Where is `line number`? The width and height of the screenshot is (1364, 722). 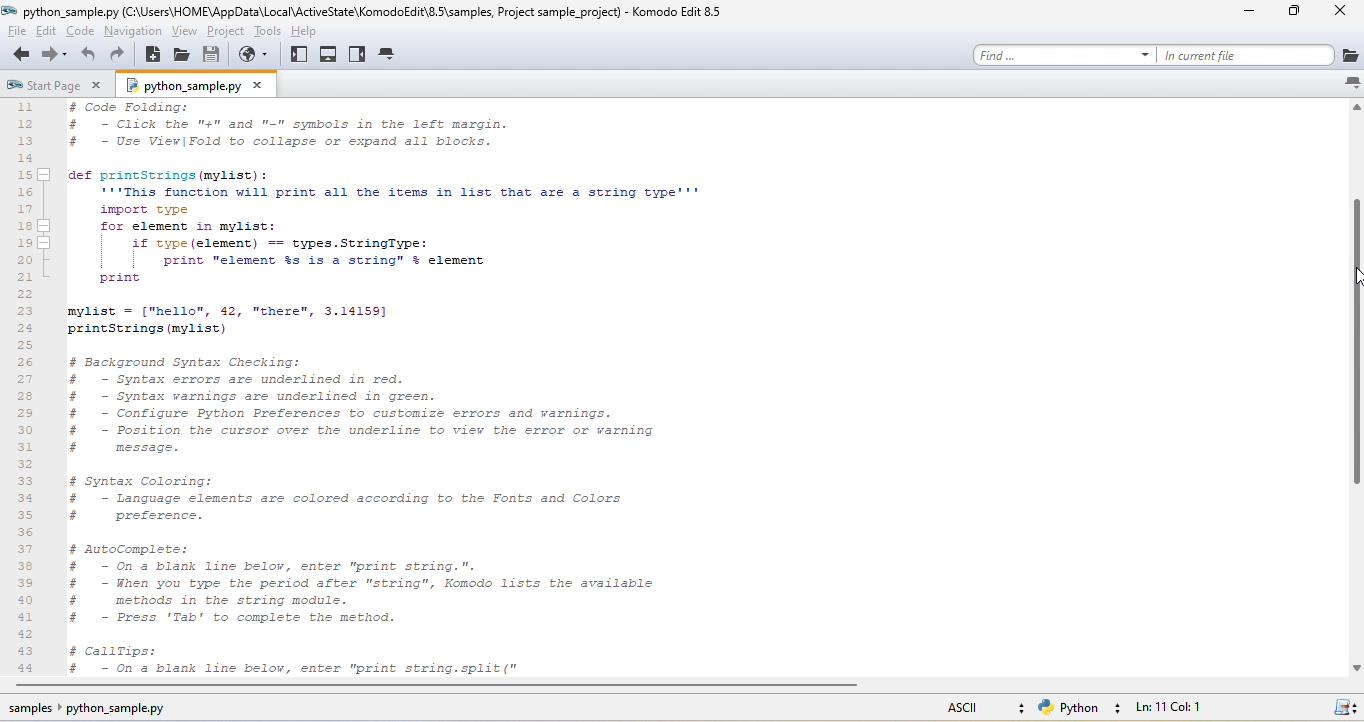
line number is located at coordinates (28, 387).